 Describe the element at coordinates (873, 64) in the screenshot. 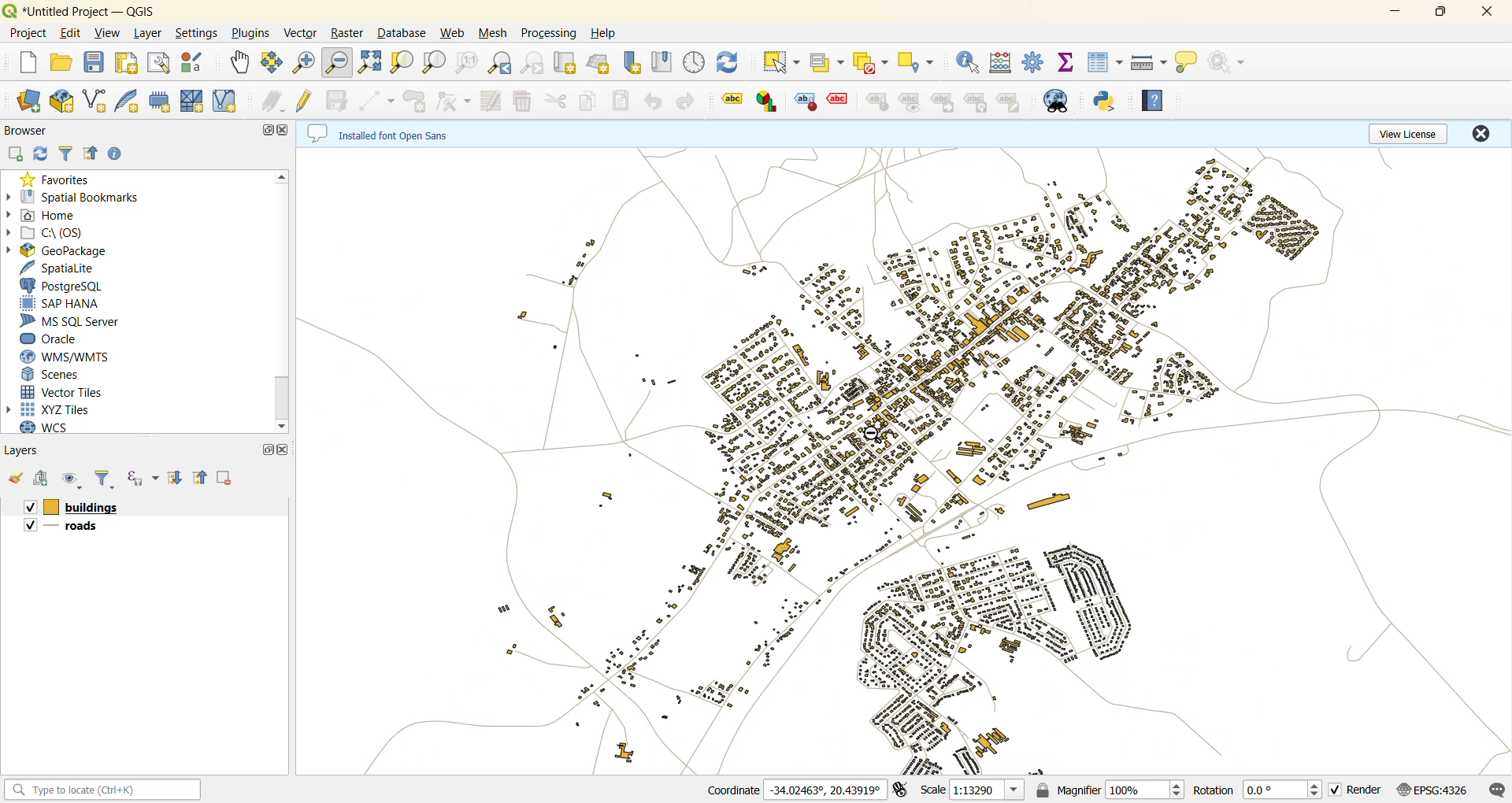

I see `deselect value` at that location.